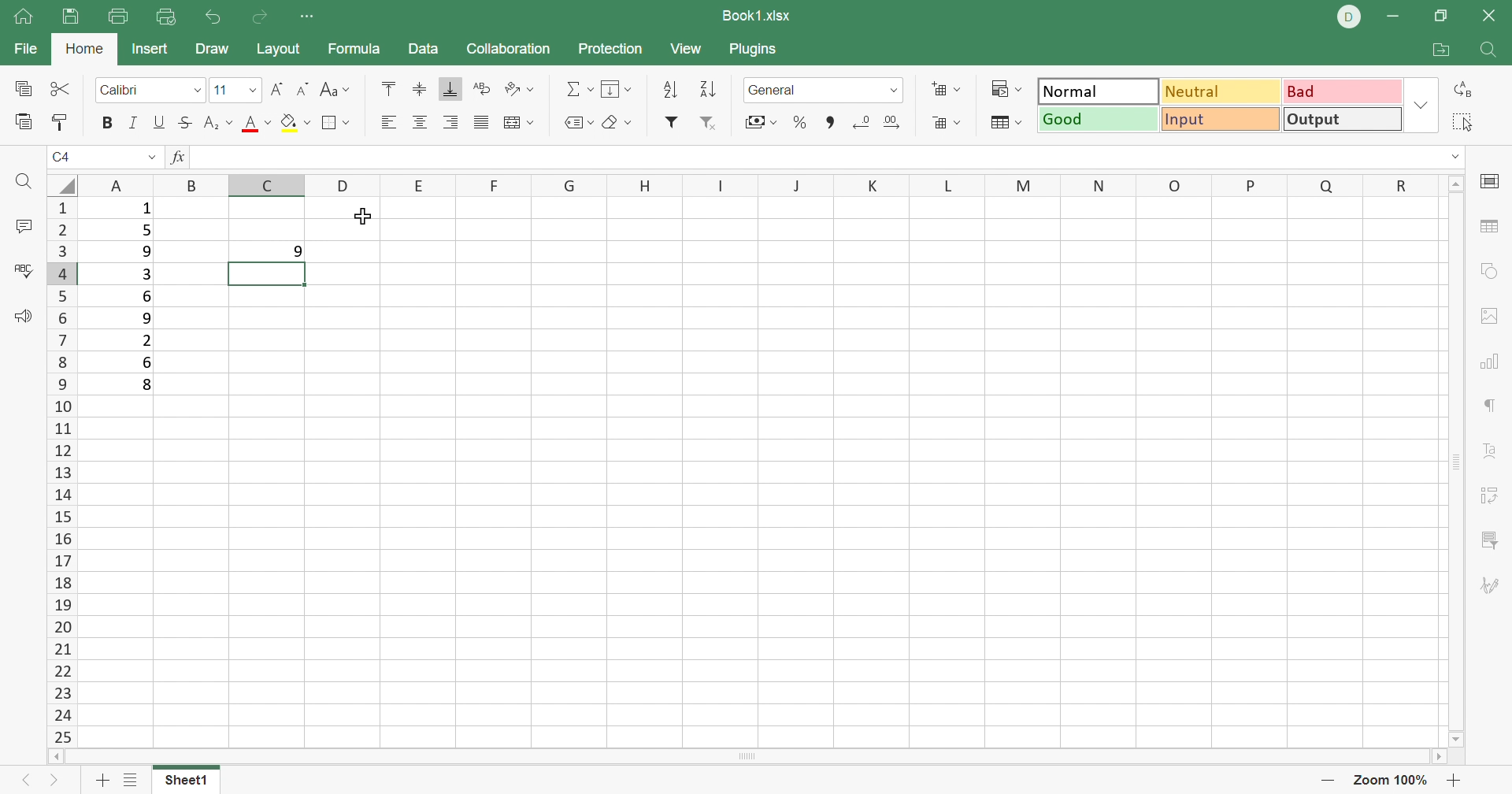 The height and width of the screenshot is (794, 1512). Describe the element at coordinates (63, 471) in the screenshot. I see `Row Number` at that location.